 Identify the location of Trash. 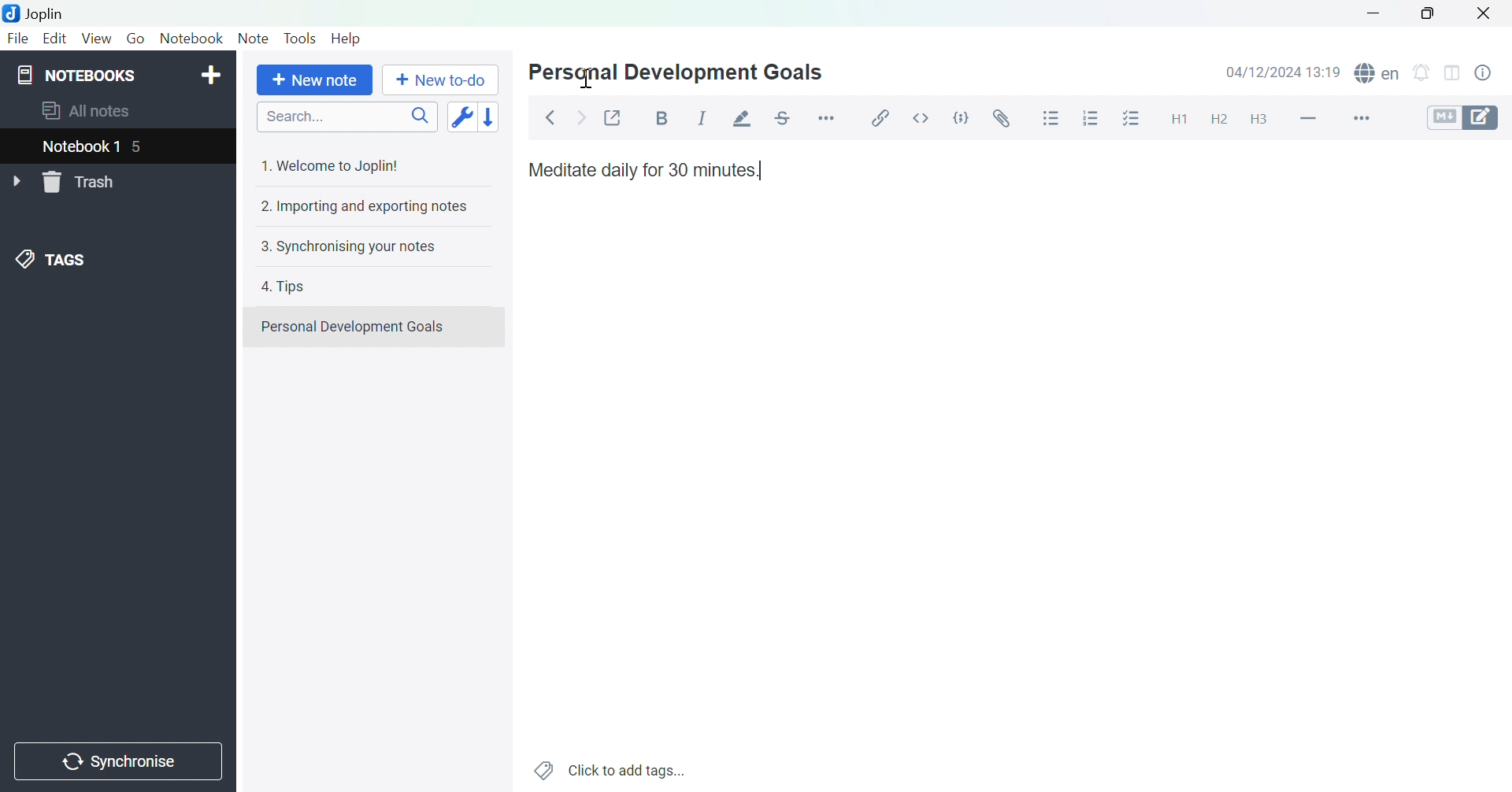
(82, 183).